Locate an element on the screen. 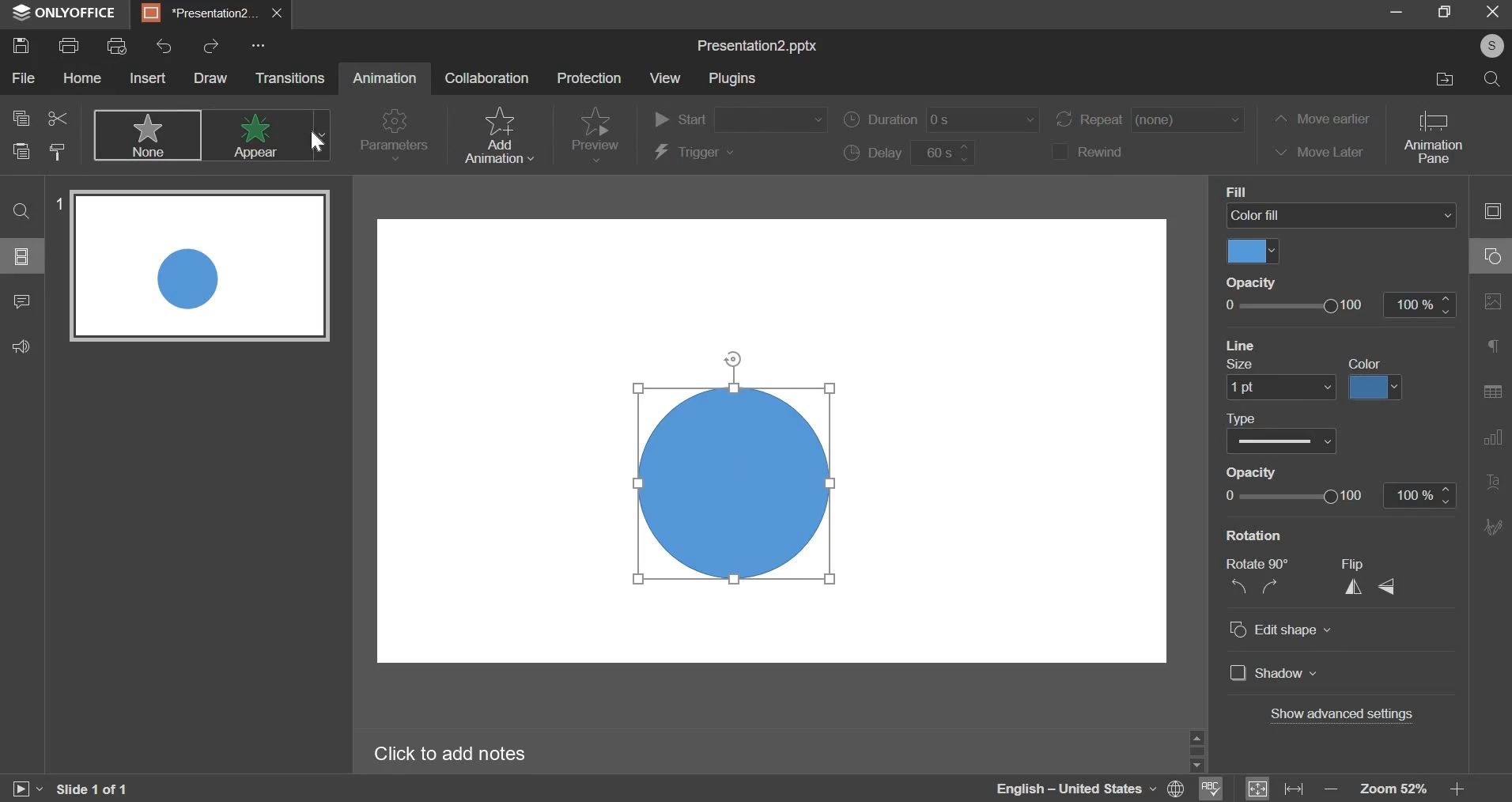 The height and width of the screenshot is (802, 1512). Plug is located at coordinates (735, 80).